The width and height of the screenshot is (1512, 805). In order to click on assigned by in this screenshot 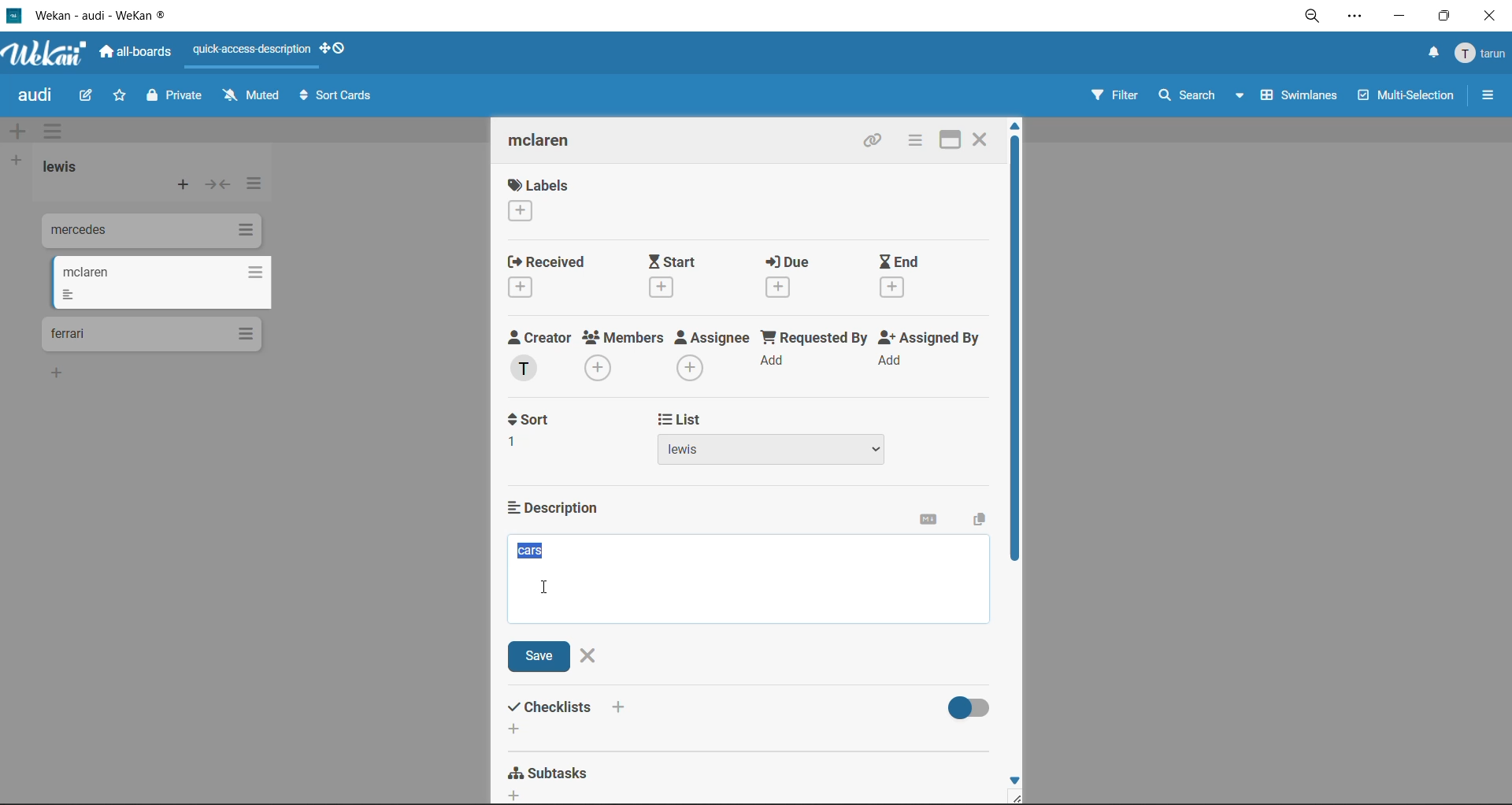, I will do `click(935, 353)`.